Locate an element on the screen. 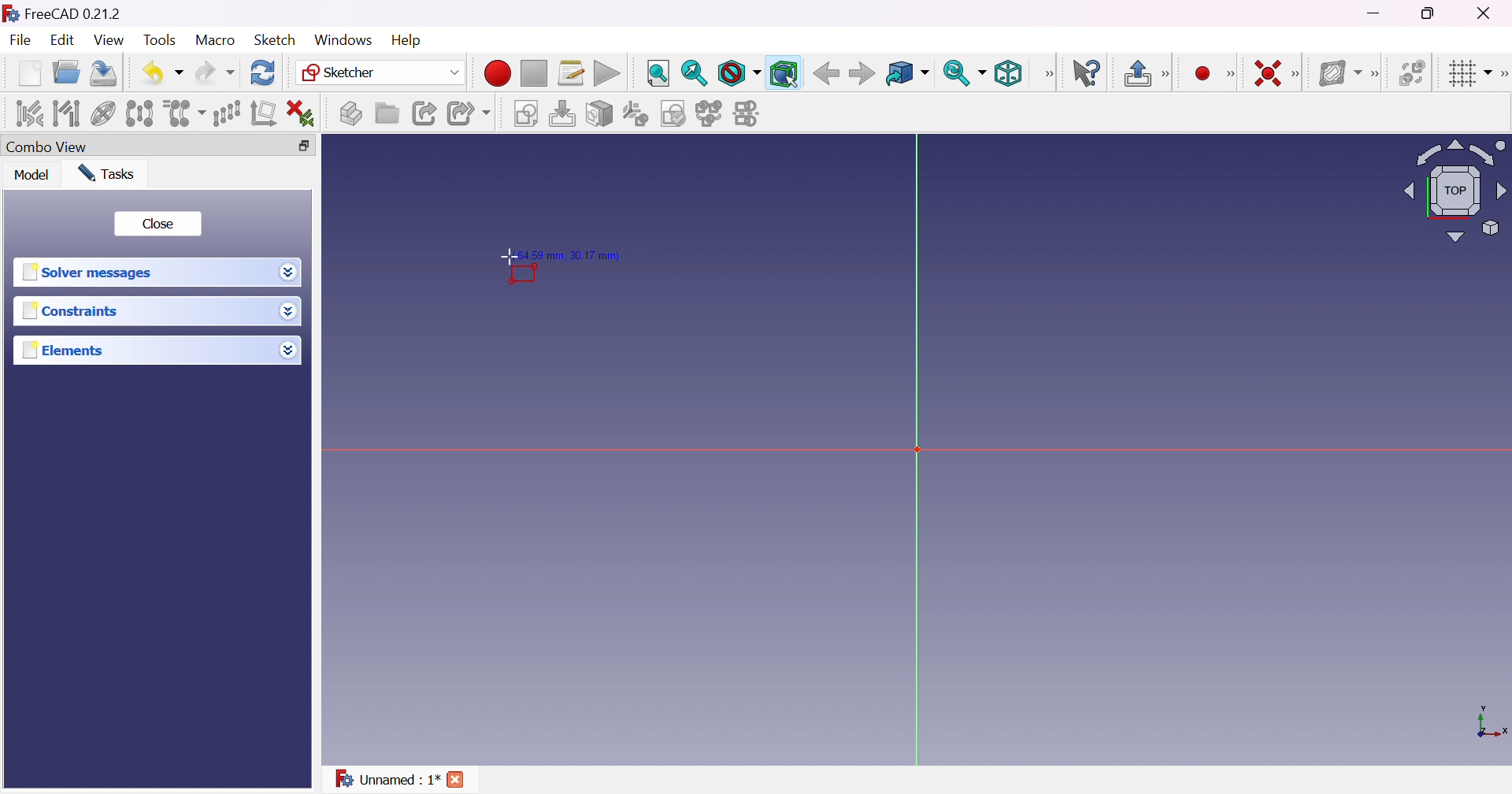  Select associated constraints is located at coordinates (29, 113).